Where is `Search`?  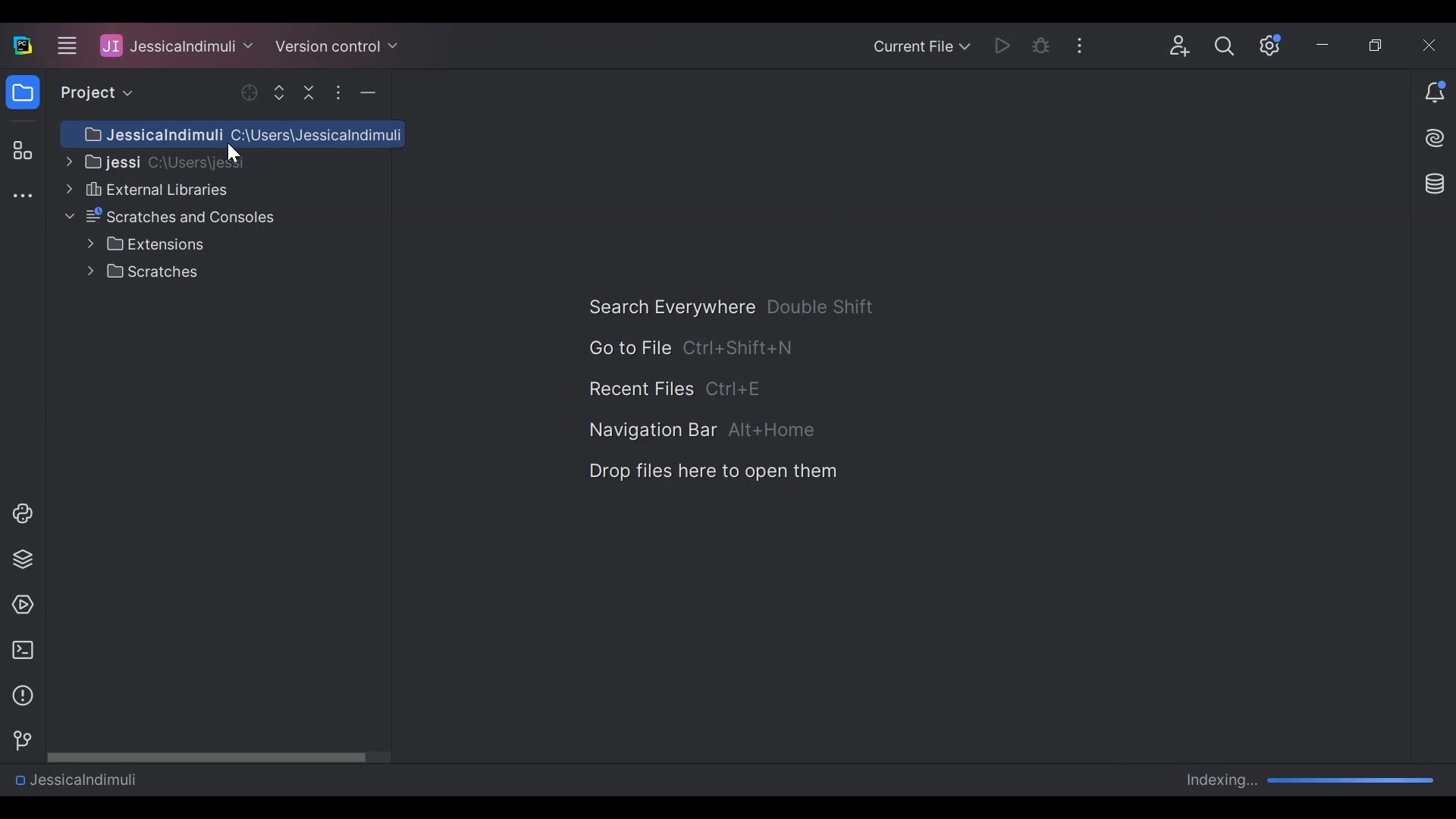 Search is located at coordinates (1225, 46).